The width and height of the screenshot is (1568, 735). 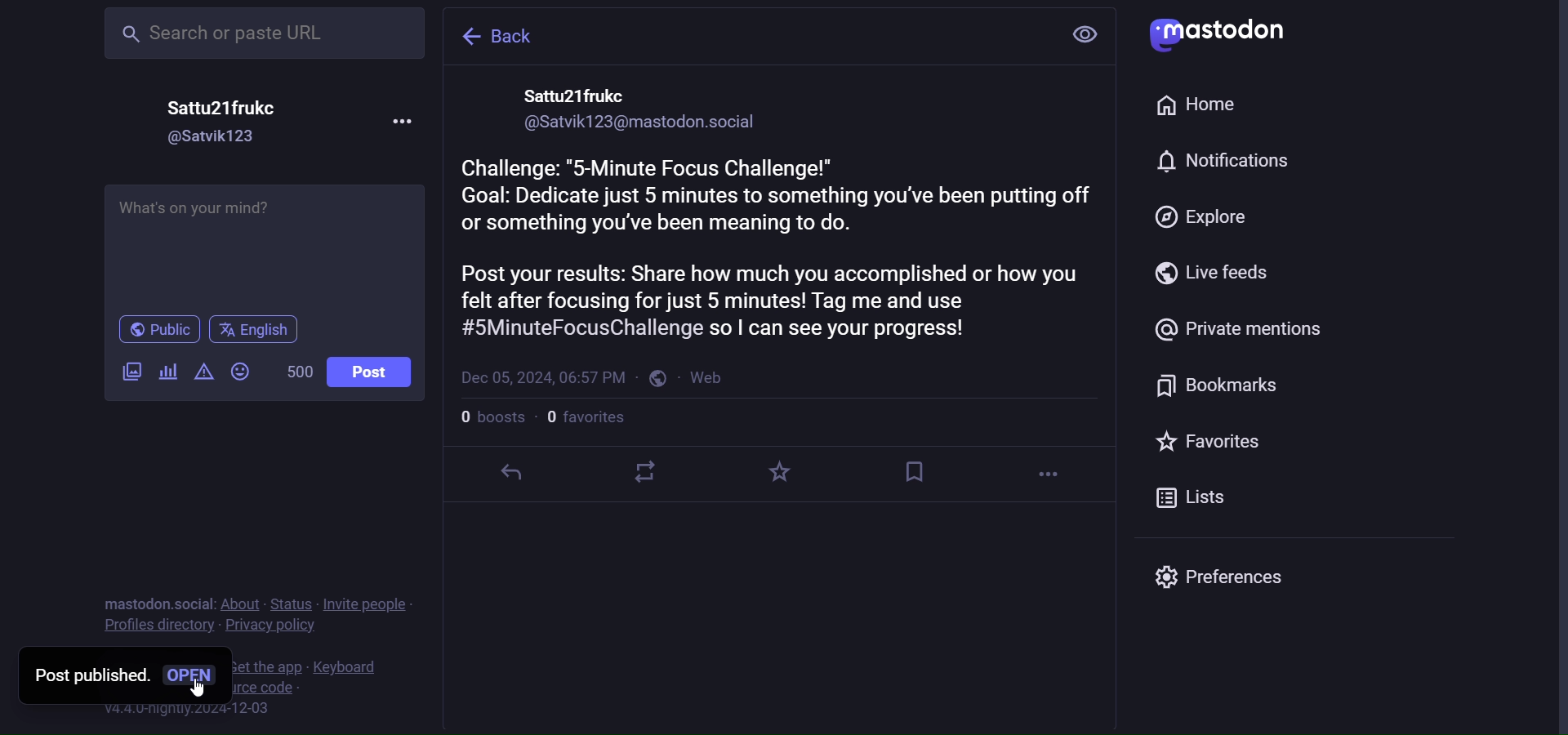 I want to click on notification, so click(x=1223, y=163).